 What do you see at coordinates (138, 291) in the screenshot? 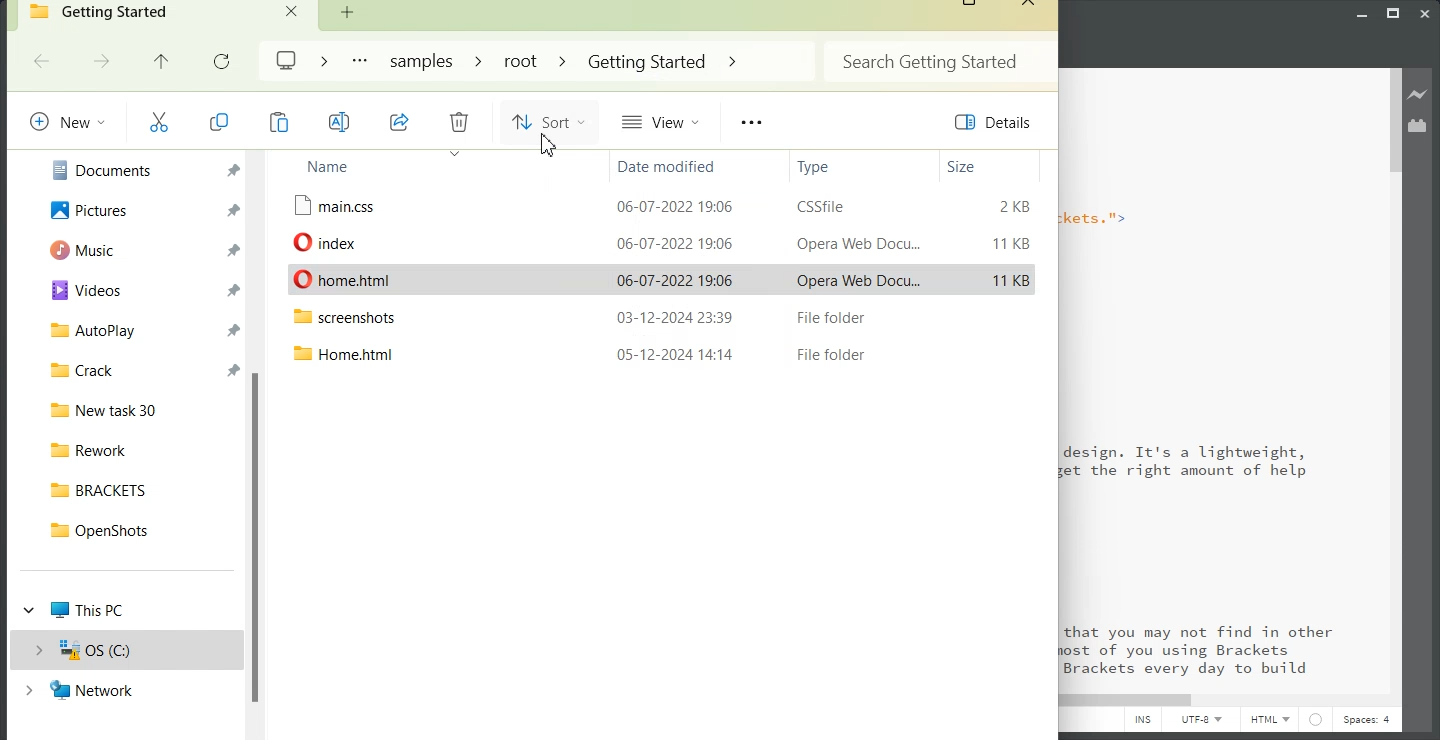
I see `Videos` at bounding box center [138, 291].